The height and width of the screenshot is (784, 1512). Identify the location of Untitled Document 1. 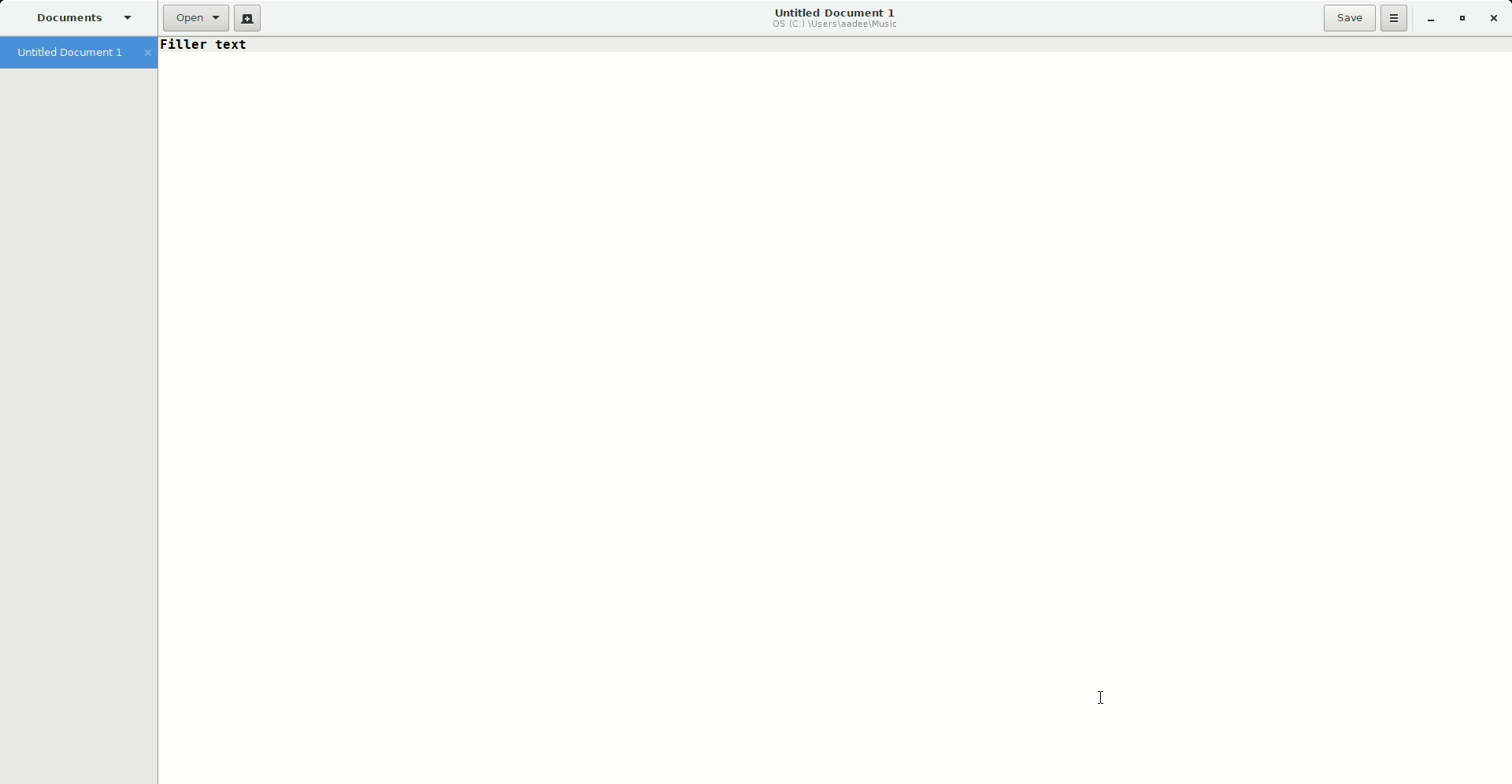
(830, 17).